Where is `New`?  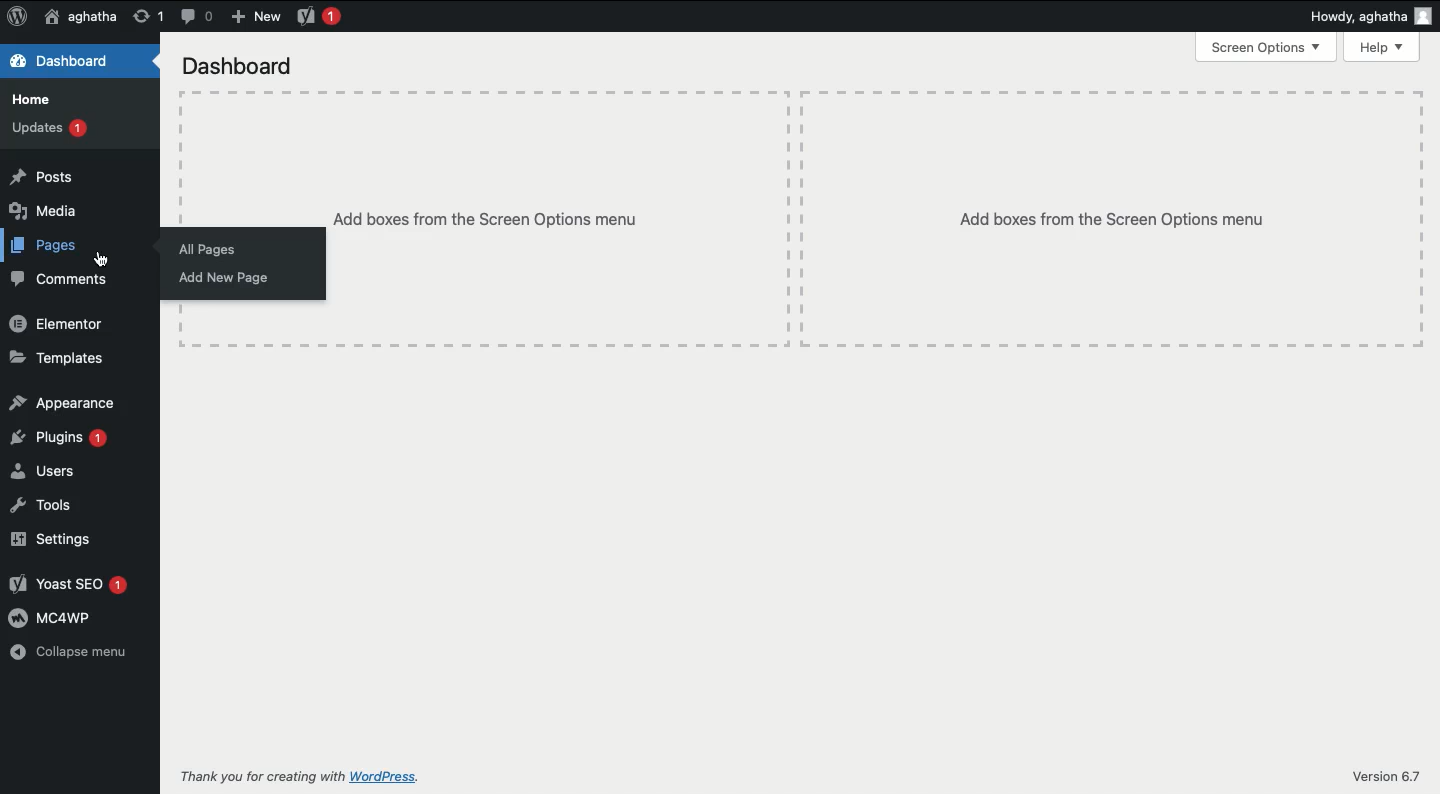 New is located at coordinates (256, 16).